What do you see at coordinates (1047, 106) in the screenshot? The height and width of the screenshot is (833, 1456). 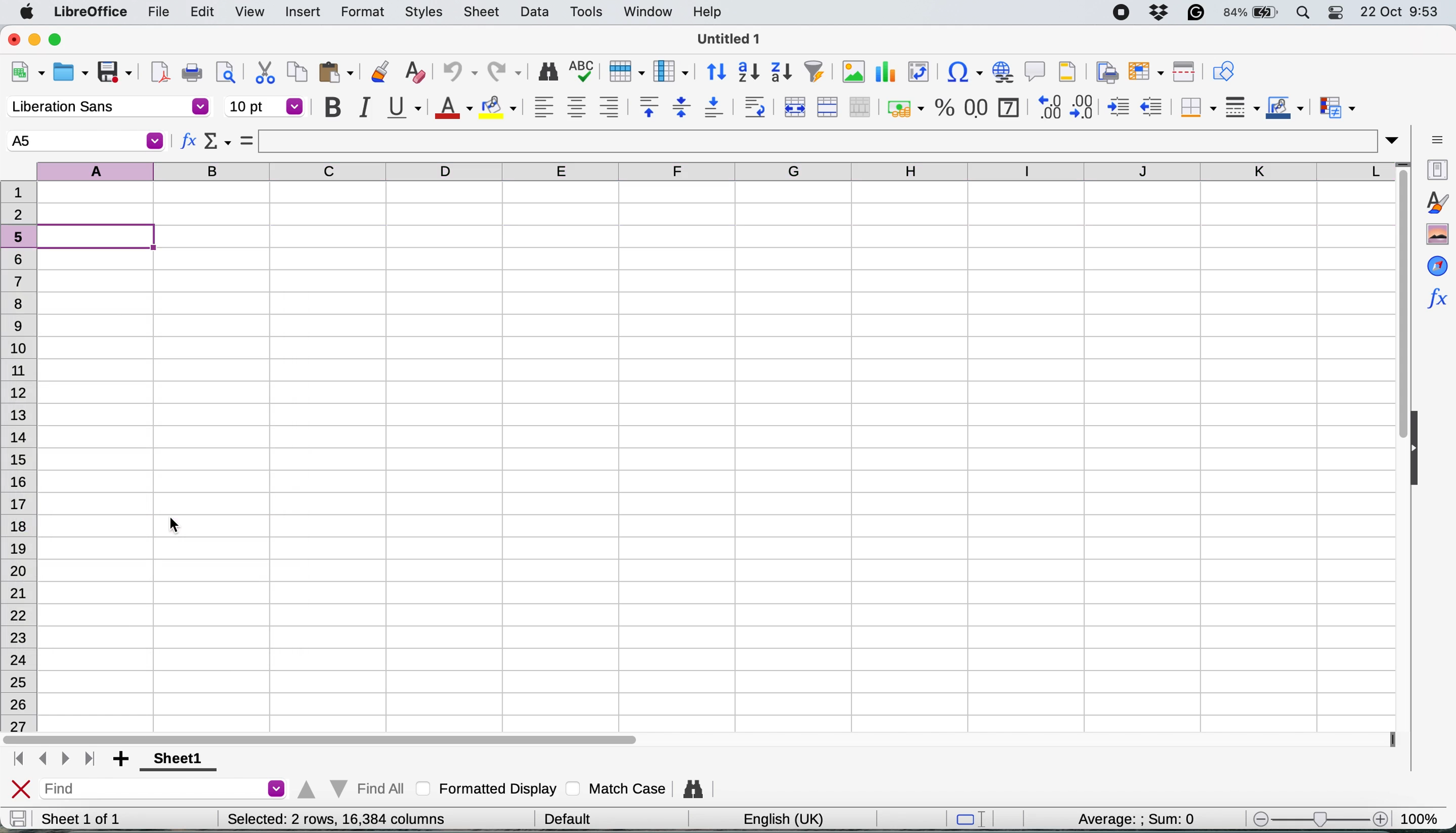 I see `add decimal place` at bounding box center [1047, 106].